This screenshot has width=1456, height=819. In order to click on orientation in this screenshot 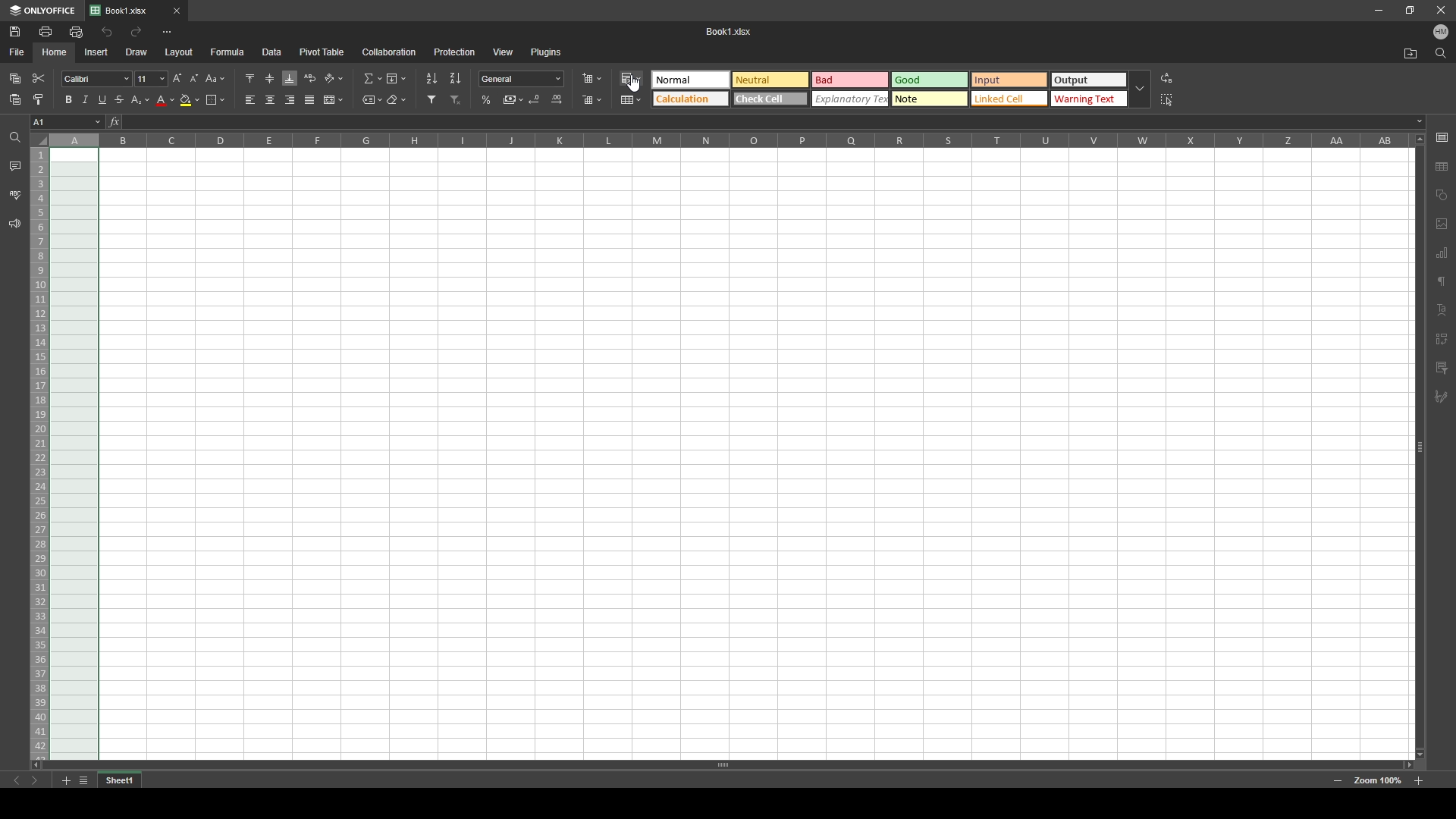, I will do `click(334, 79)`.